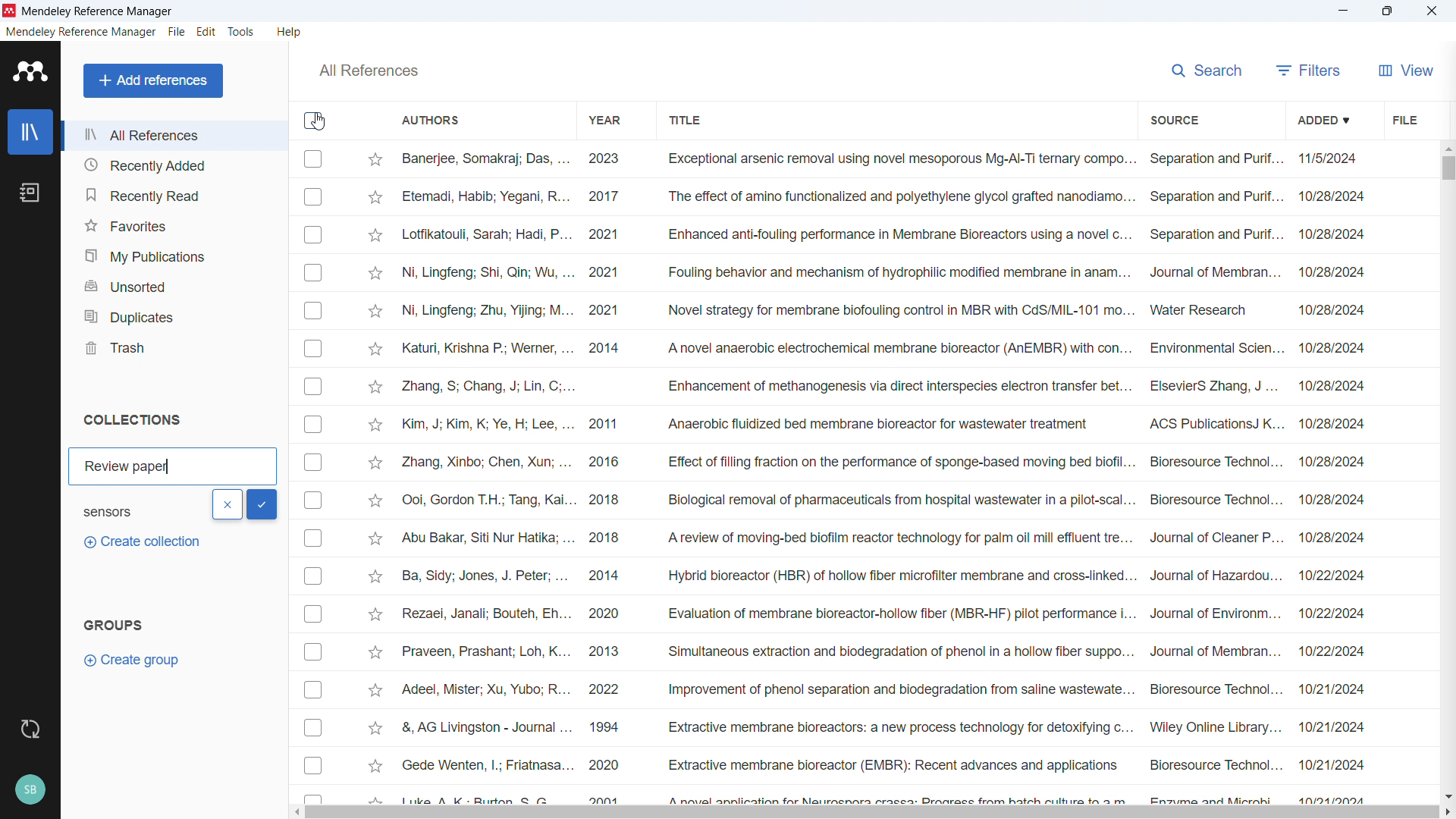  What do you see at coordinates (173, 347) in the screenshot?
I see `Trash ` at bounding box center [173, 347].